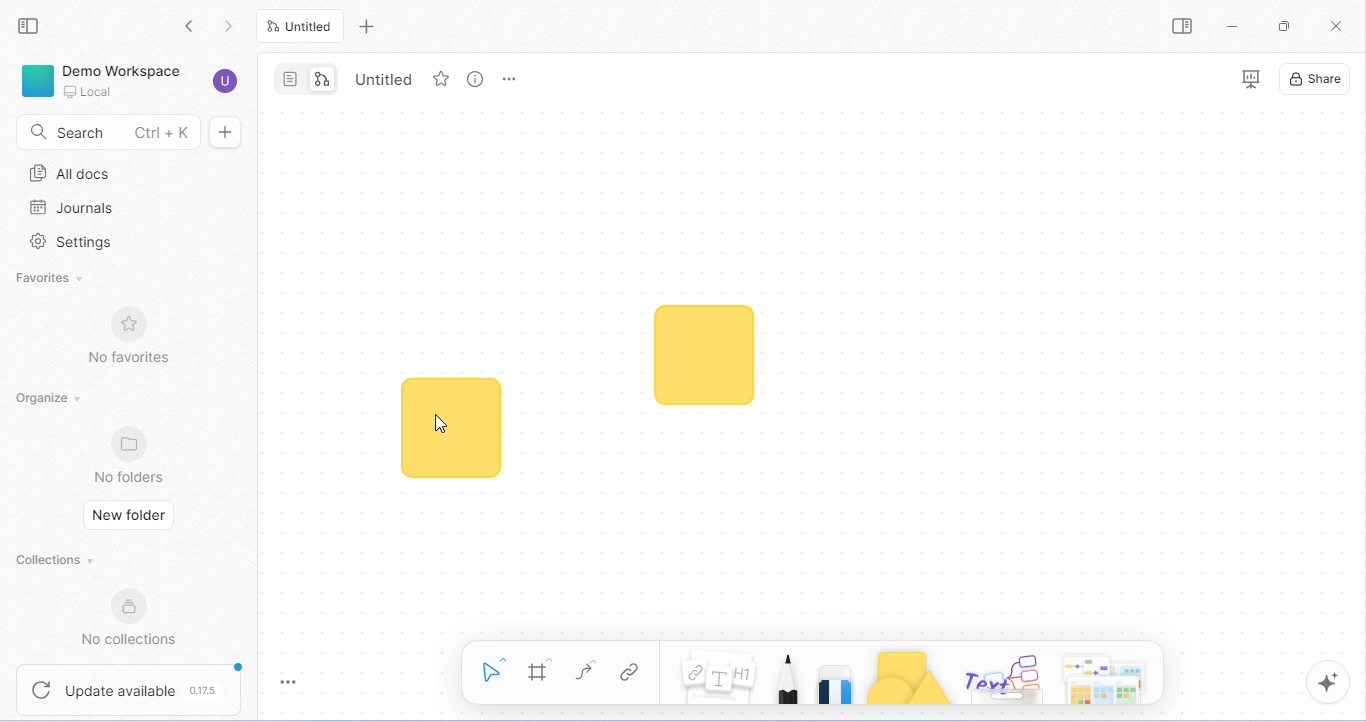 The image size is (1366, 722). What do you see at coordinates (51, 398) in the screenshot?
I see `organize` at bounding box center [51, 398].